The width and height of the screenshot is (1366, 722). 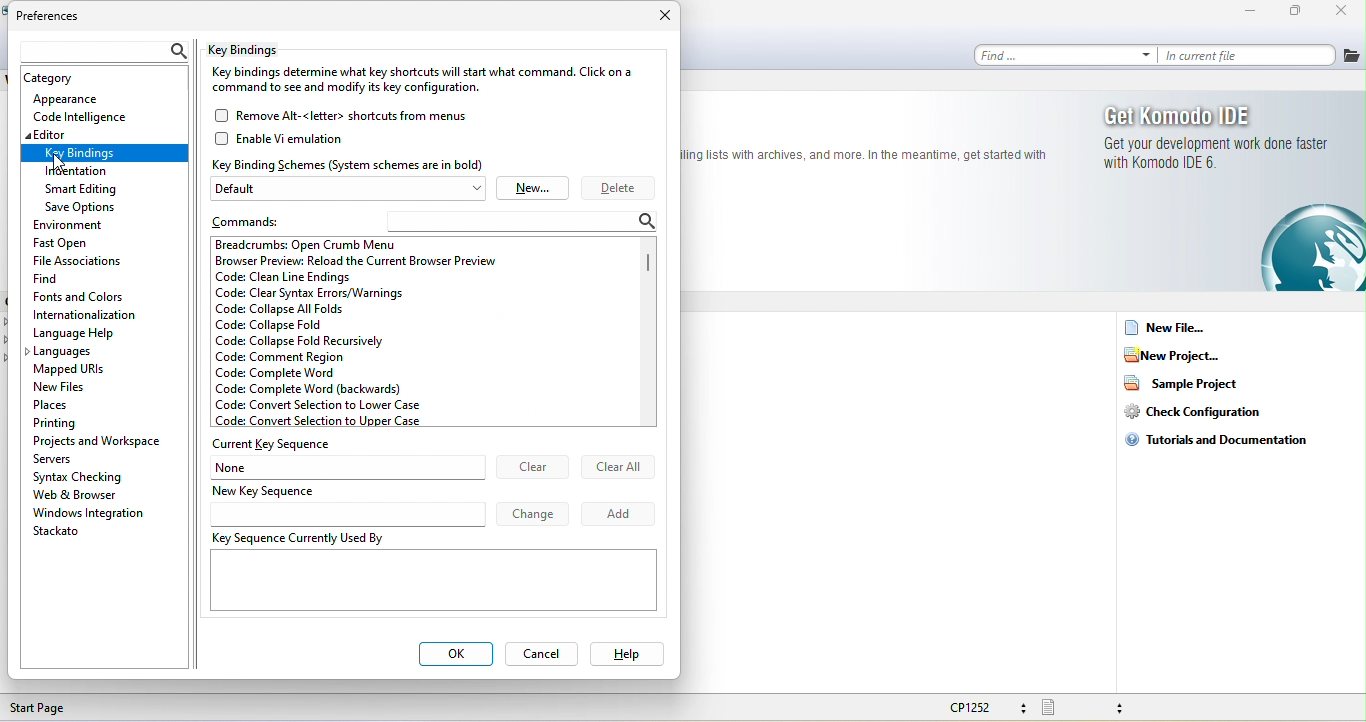 What do you see at coordinates (1300, 11) in the screenshot?
I see `maximize` at bounding box center [1300, 11].